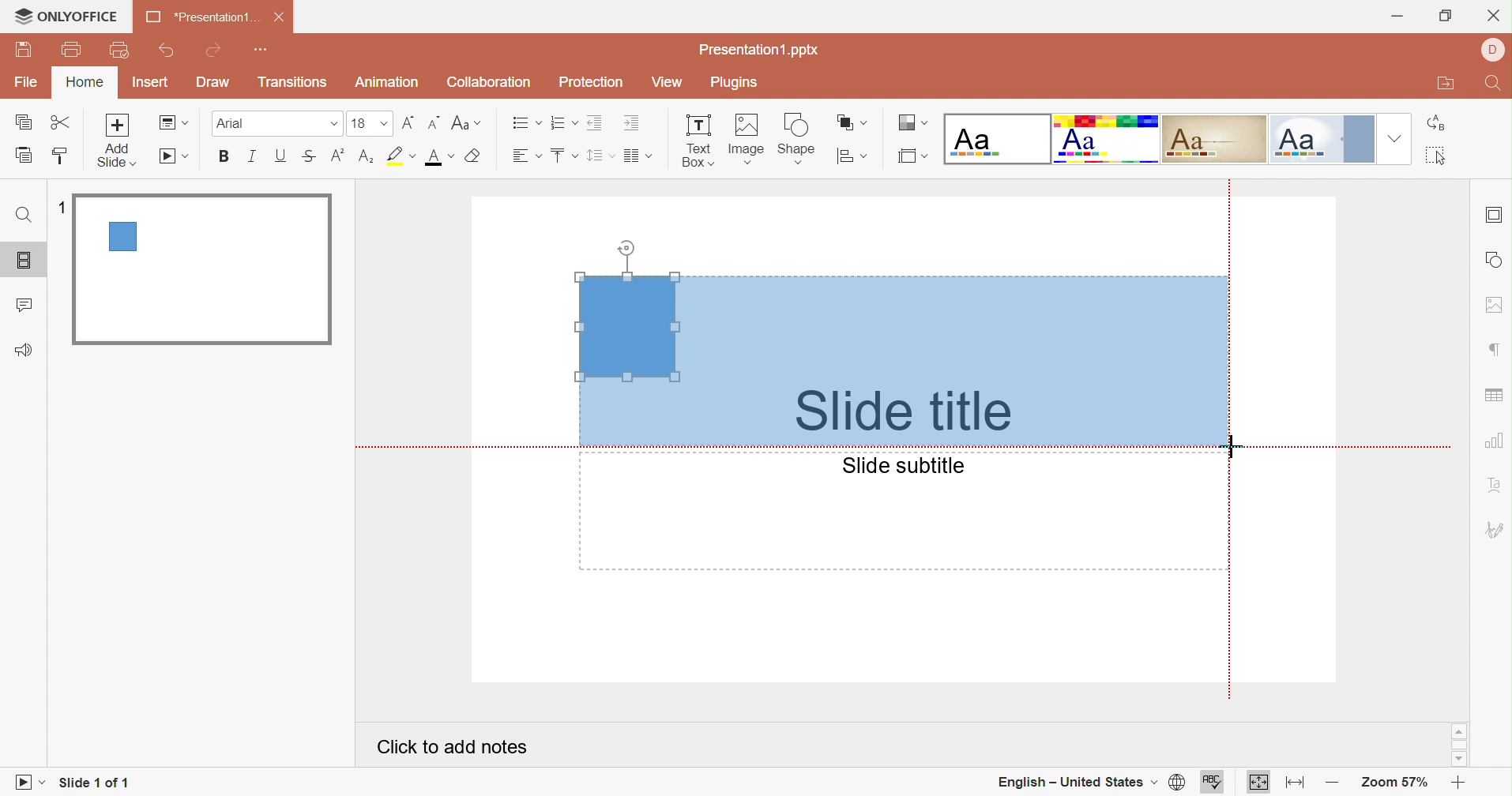  I want to click on Print file, so click(75, 48).